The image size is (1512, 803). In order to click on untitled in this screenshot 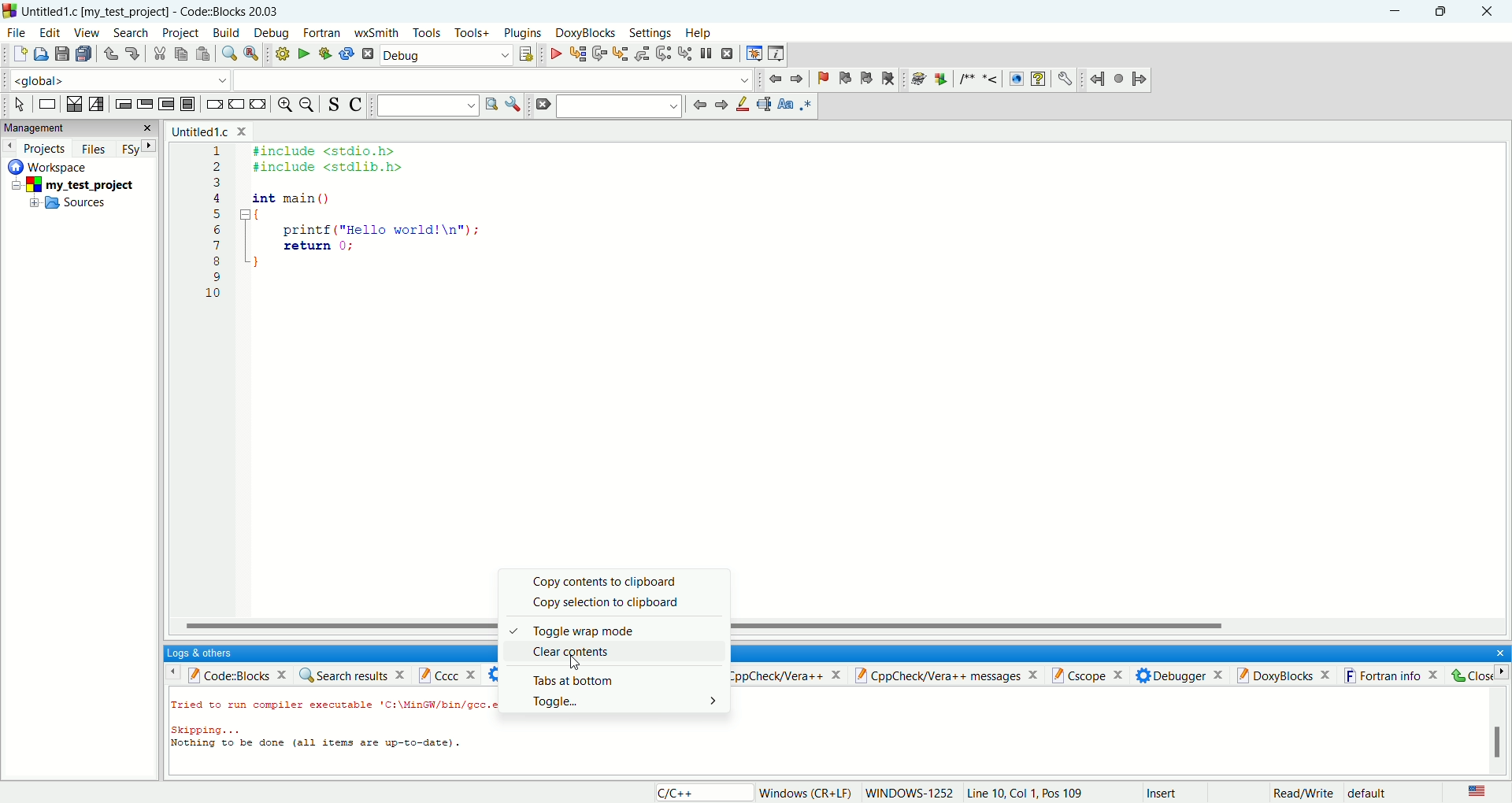, I will do `click(209, 131)`.